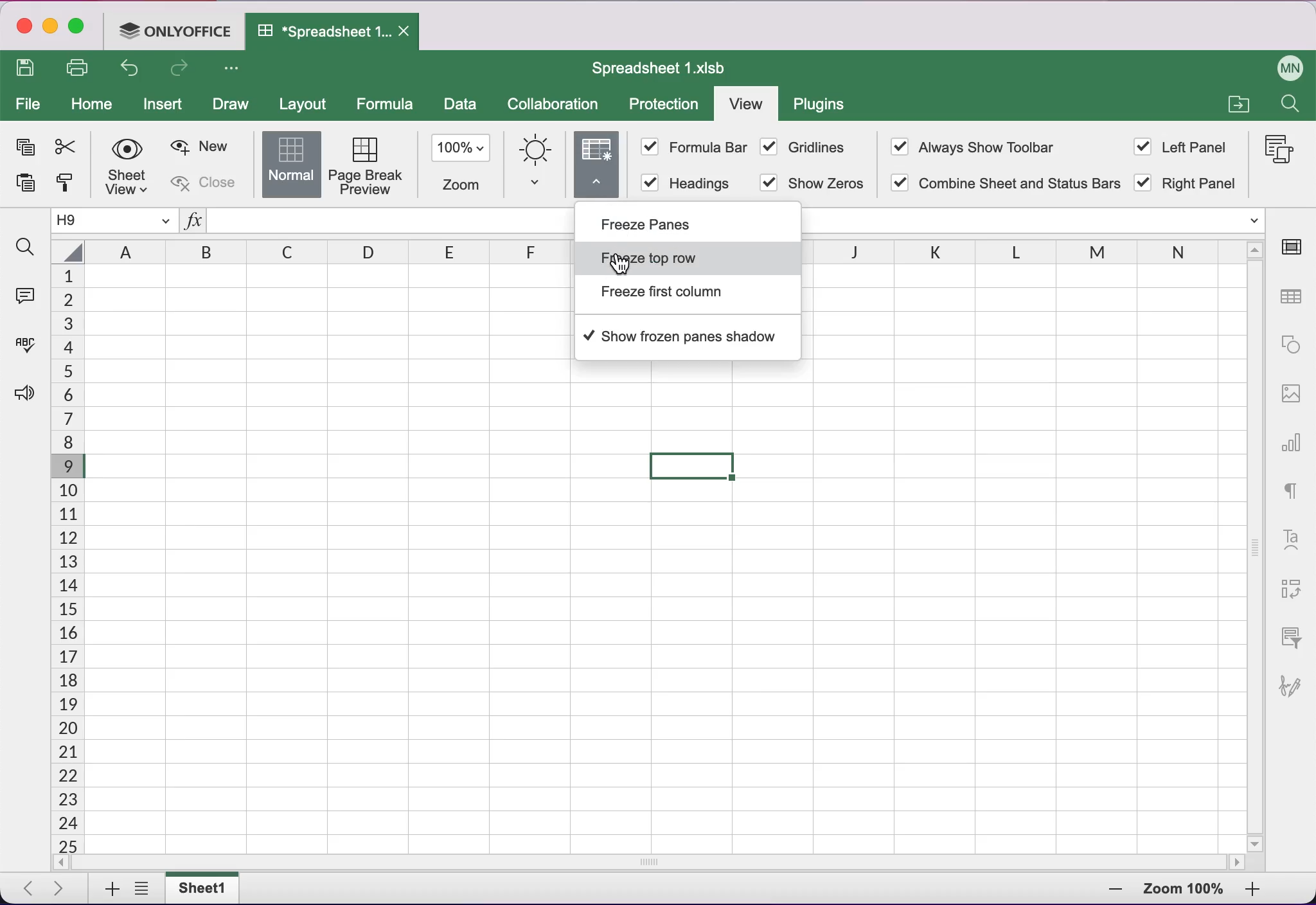  What do you see at coordinates (1237, 106) in the screenshot?
I see `file a collection` at bounding box center [1237, 106].